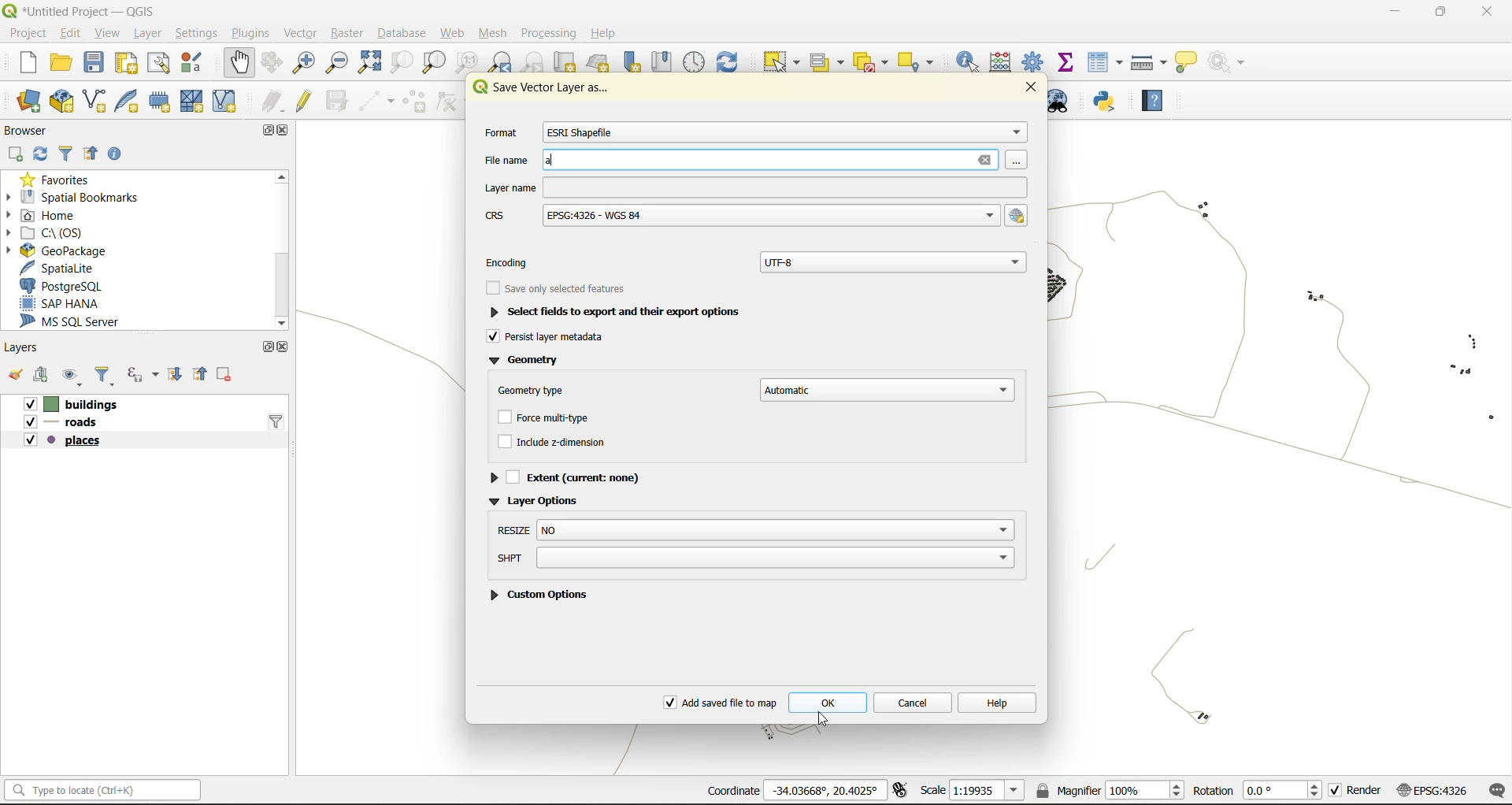 This screenshot has height=805, width=1512. What do you see at coordinates (532, 361) in the screenshot?
I see `Geometry` at bounding box center [532, 361].